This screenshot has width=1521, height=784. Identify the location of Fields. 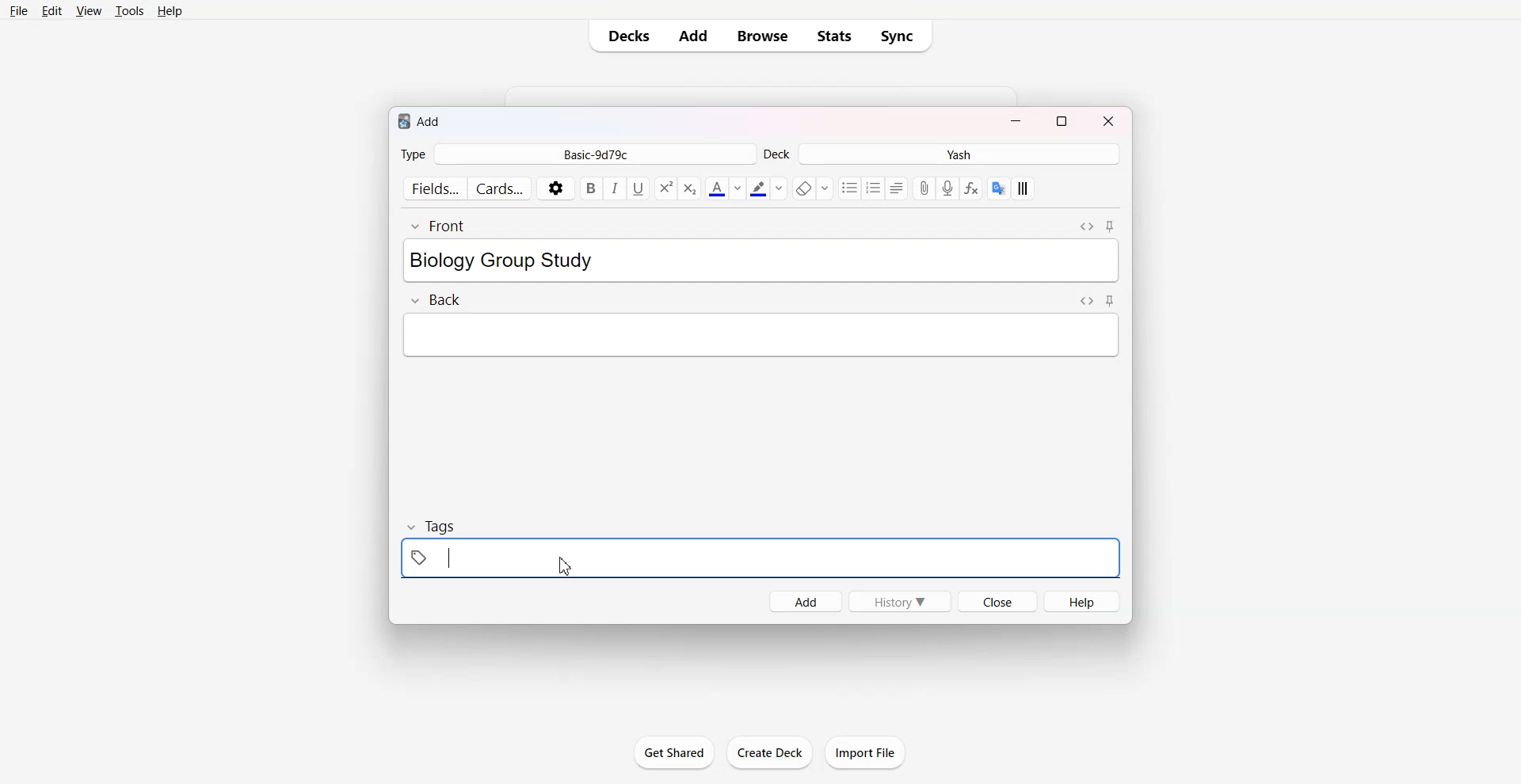
(433, 188).